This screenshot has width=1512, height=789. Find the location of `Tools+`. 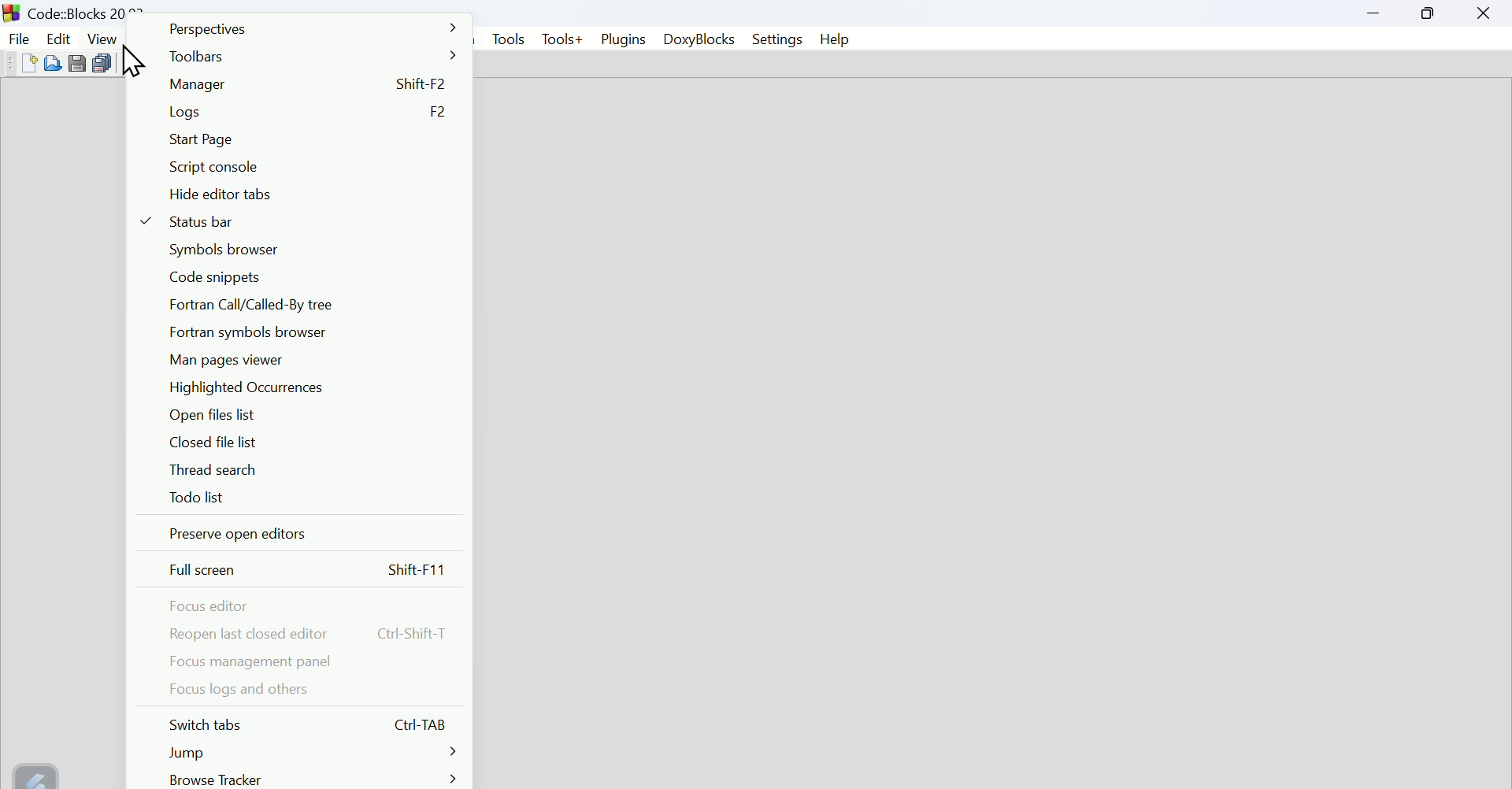

Tools+ is located at coordinates (562, 40).